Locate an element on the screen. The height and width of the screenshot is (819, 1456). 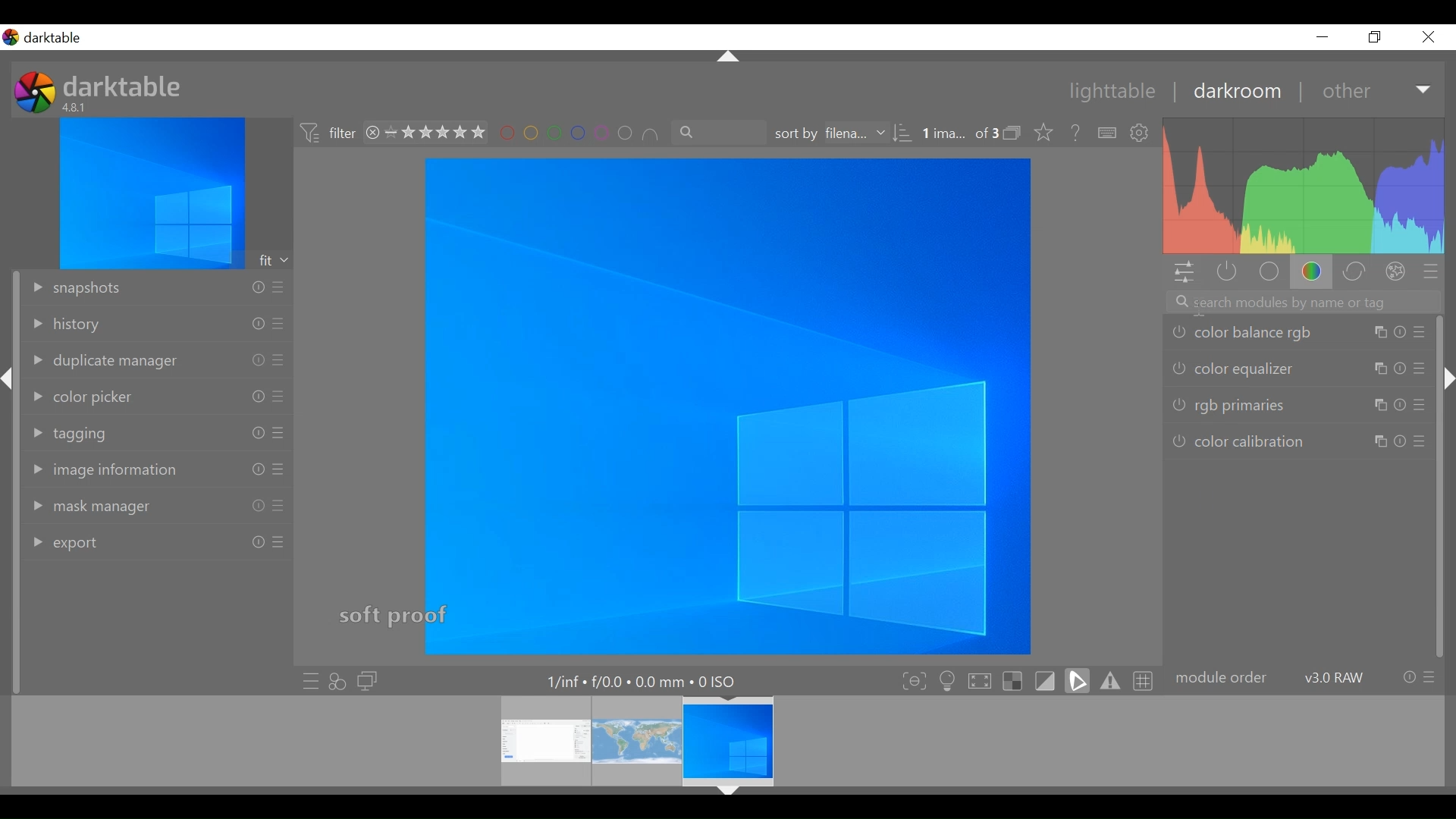
filter by text is located at coordinates (720, 133).